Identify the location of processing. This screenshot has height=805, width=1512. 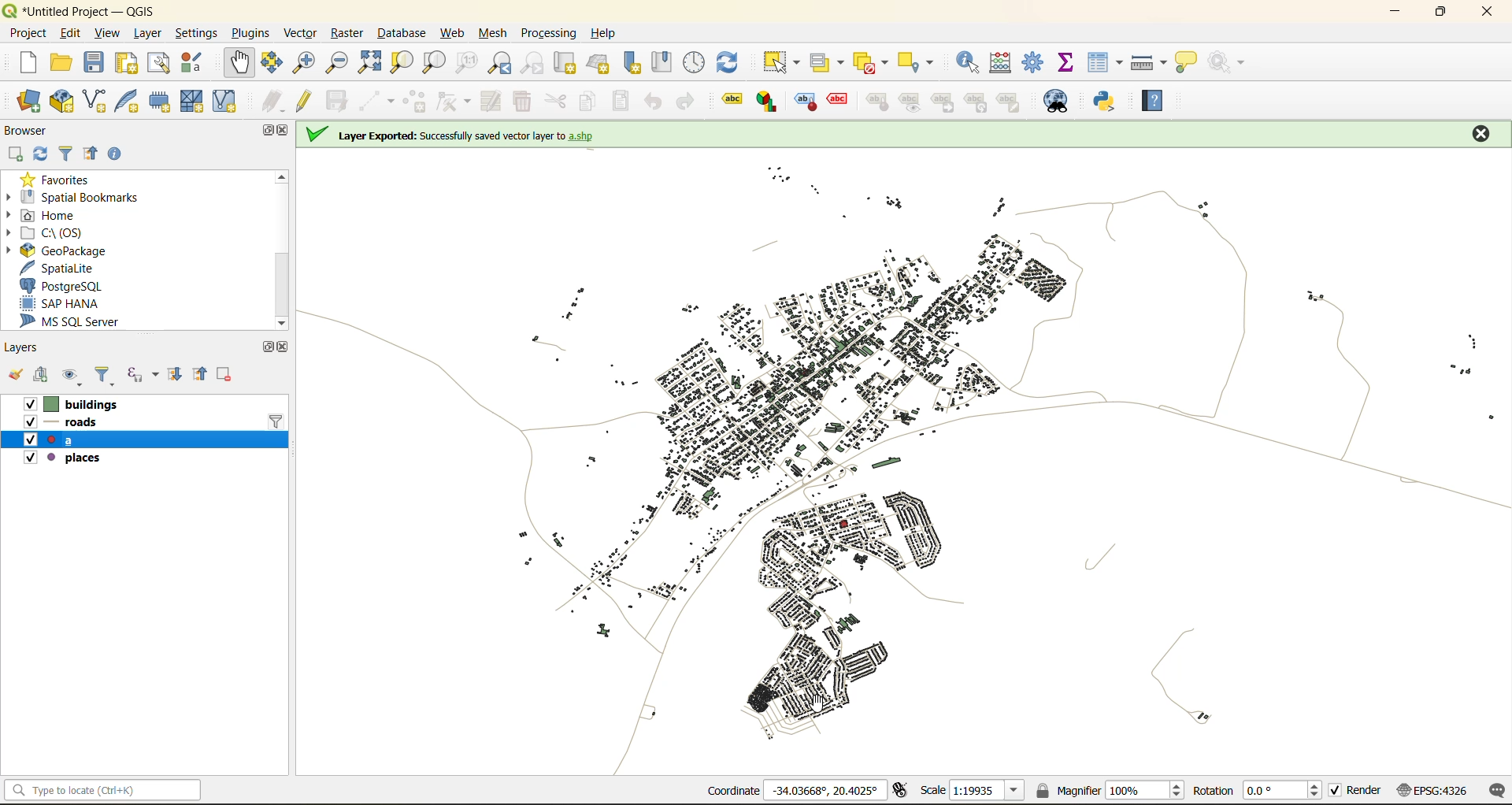
(549, 30).